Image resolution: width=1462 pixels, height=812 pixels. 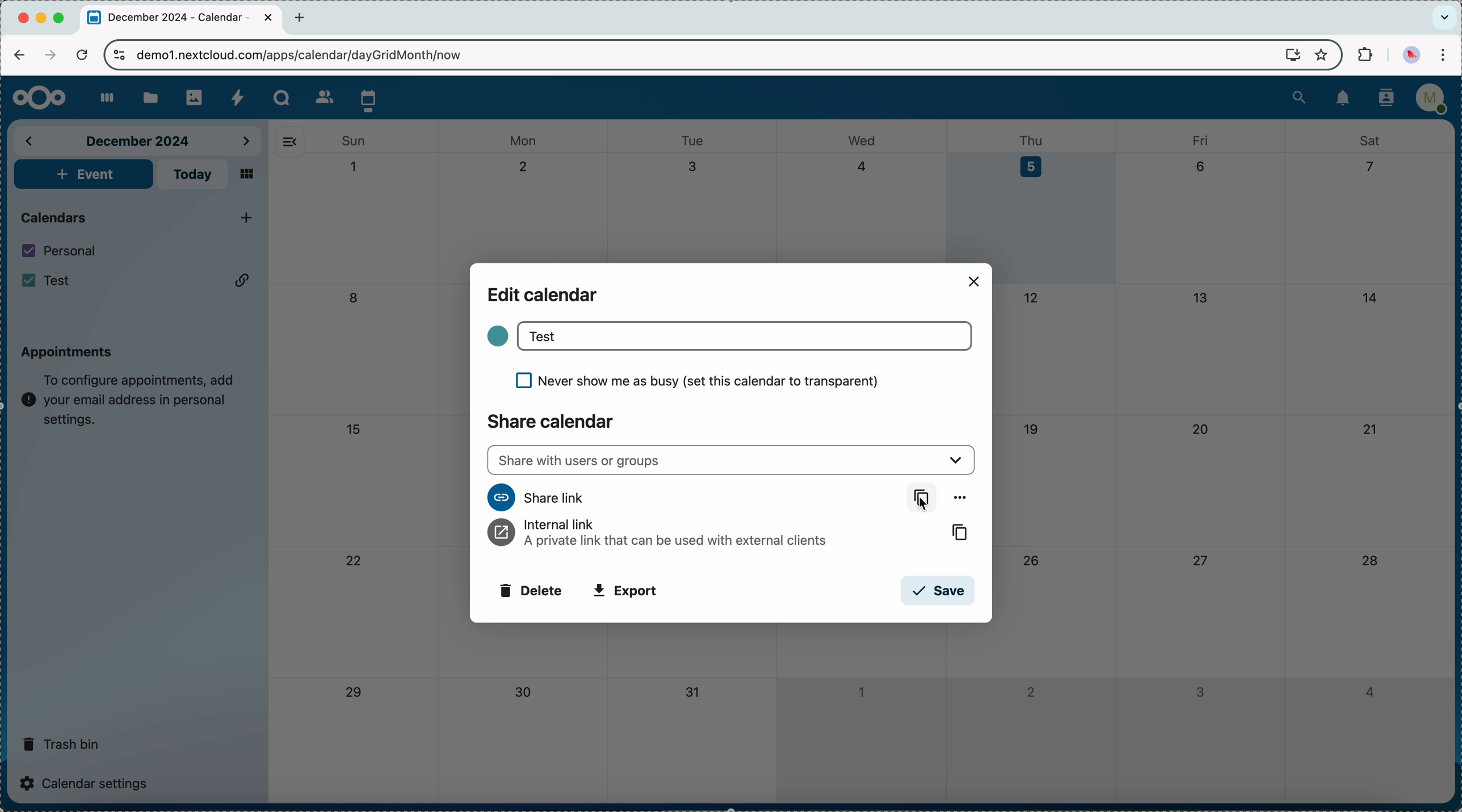 What do you see at coordinates (860, 689) in the screenshot?
I see `1` at bounding box center [860, 689].